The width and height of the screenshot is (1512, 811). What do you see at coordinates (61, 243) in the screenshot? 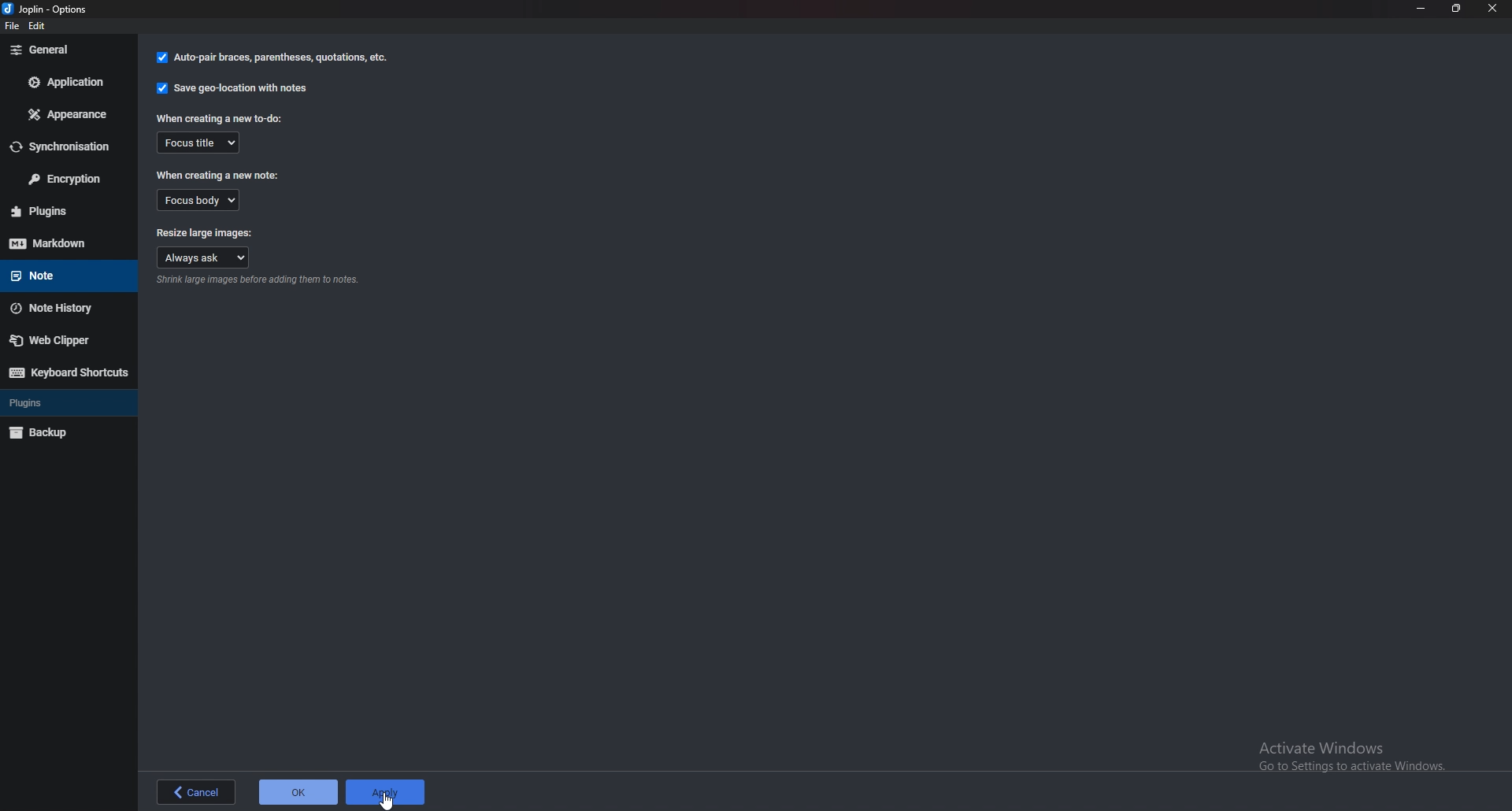
I see `Mark down` at bounding box center [61, 243].